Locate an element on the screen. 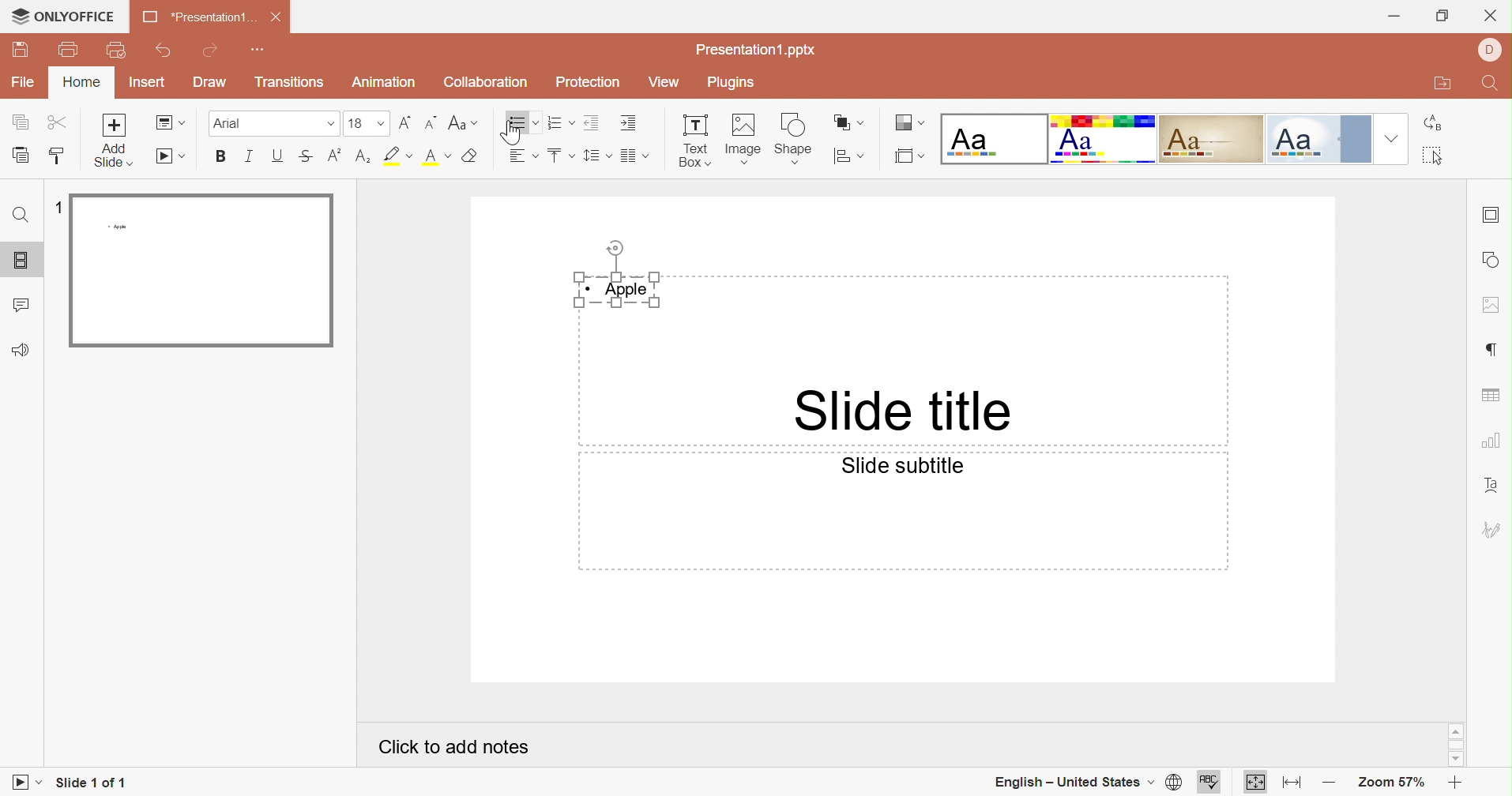 Image resolution: width=1512 pixels, height=796 pixels. shape is located at coordinates (799, 137).